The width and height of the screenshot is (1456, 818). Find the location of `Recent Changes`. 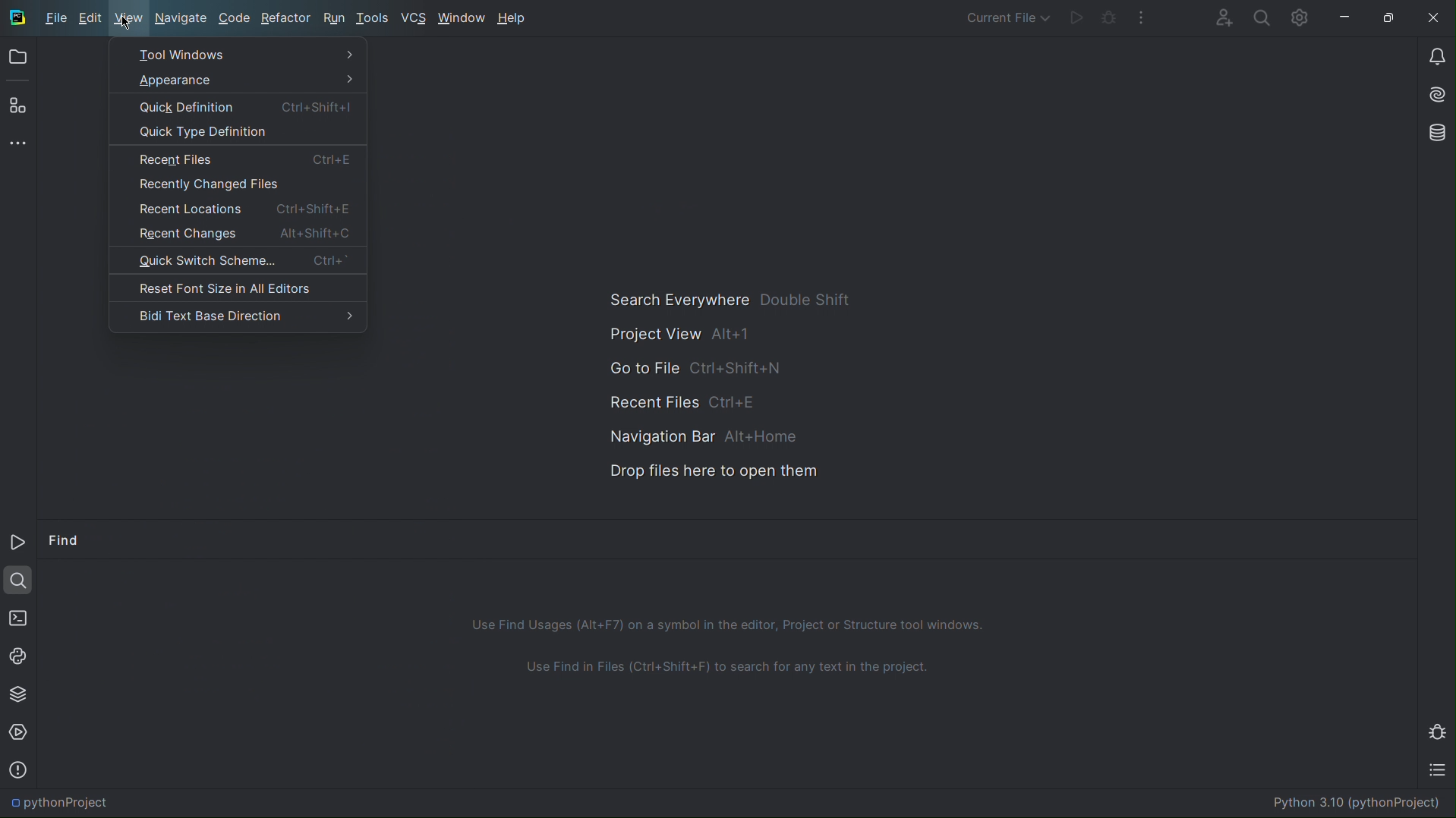

Recent Changes is located at coordinates (235, 234).